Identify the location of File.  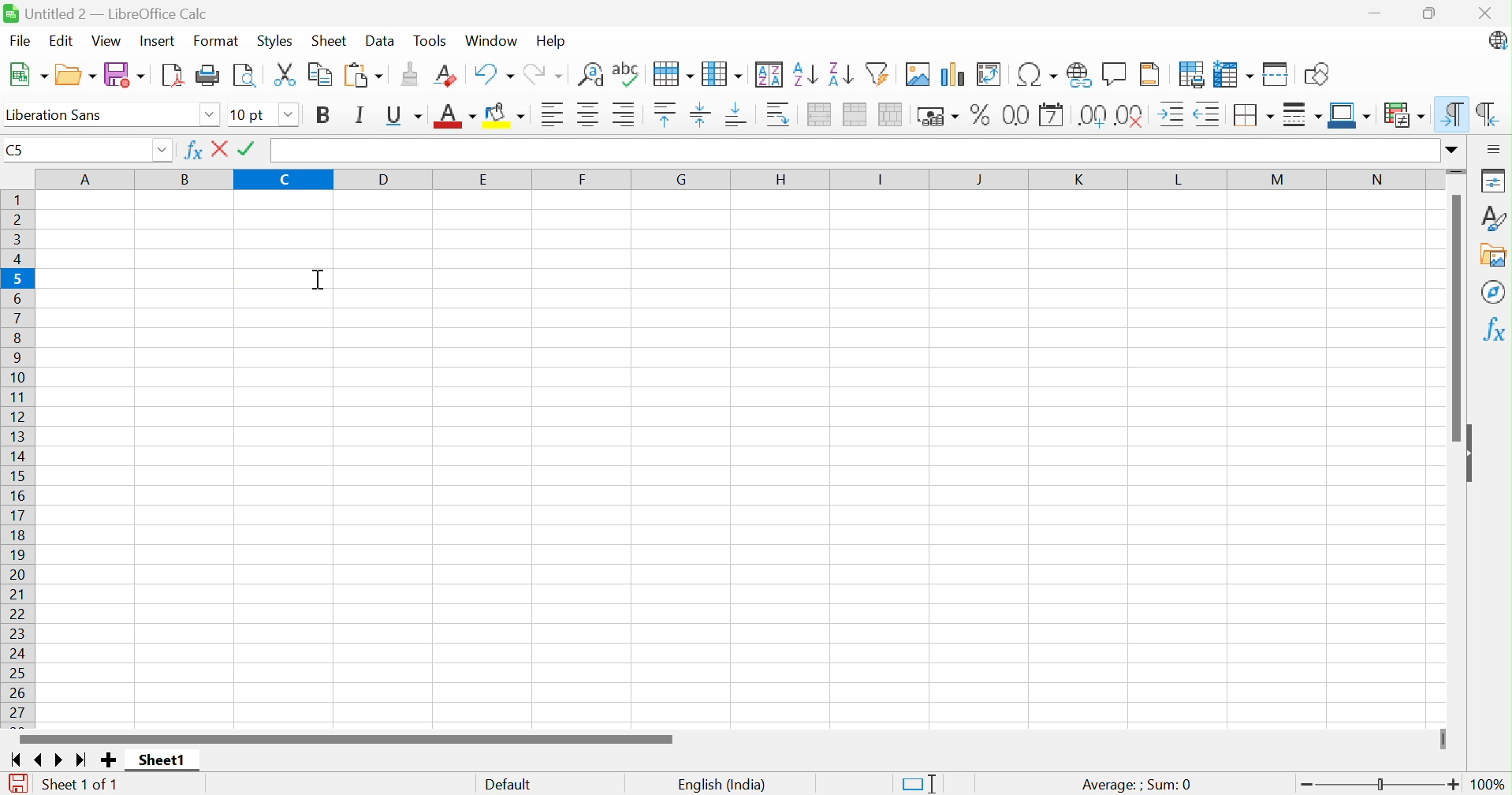
(20, 43).